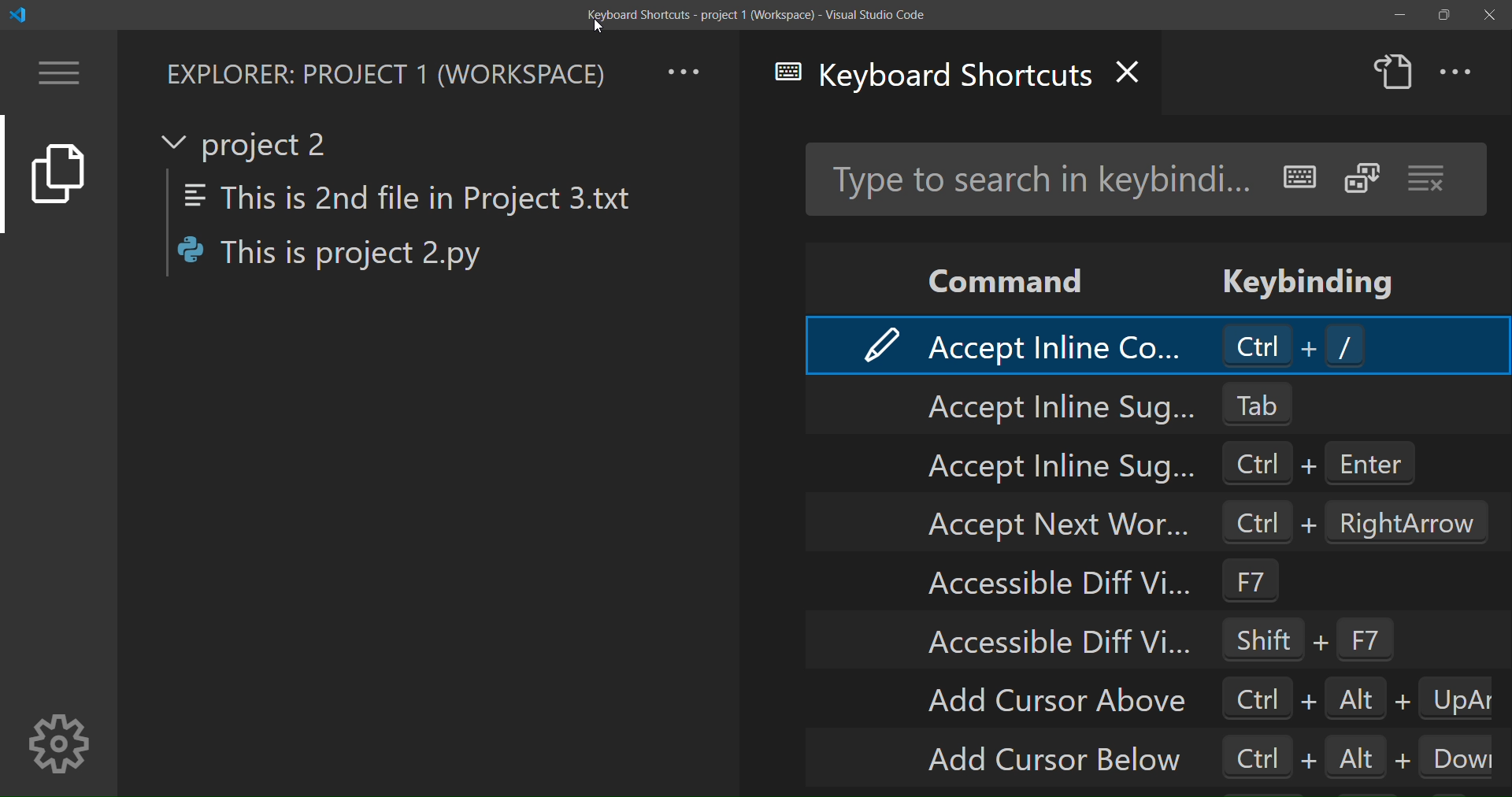  Describe the element at coordinates (22, 14) in the screenshot. I see `logo` at that location.